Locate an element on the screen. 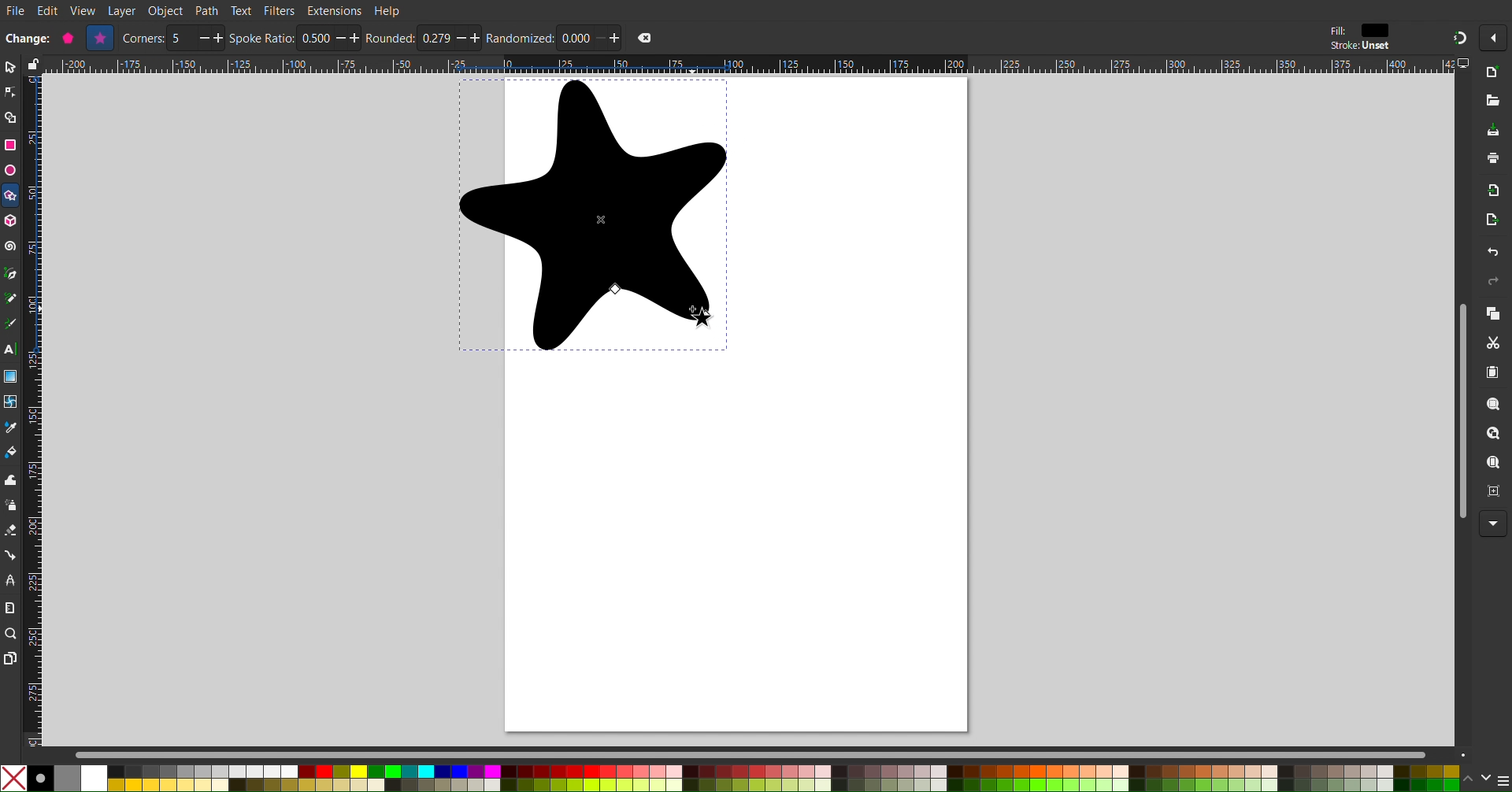  Extensions is located at coordinates (334, 11).